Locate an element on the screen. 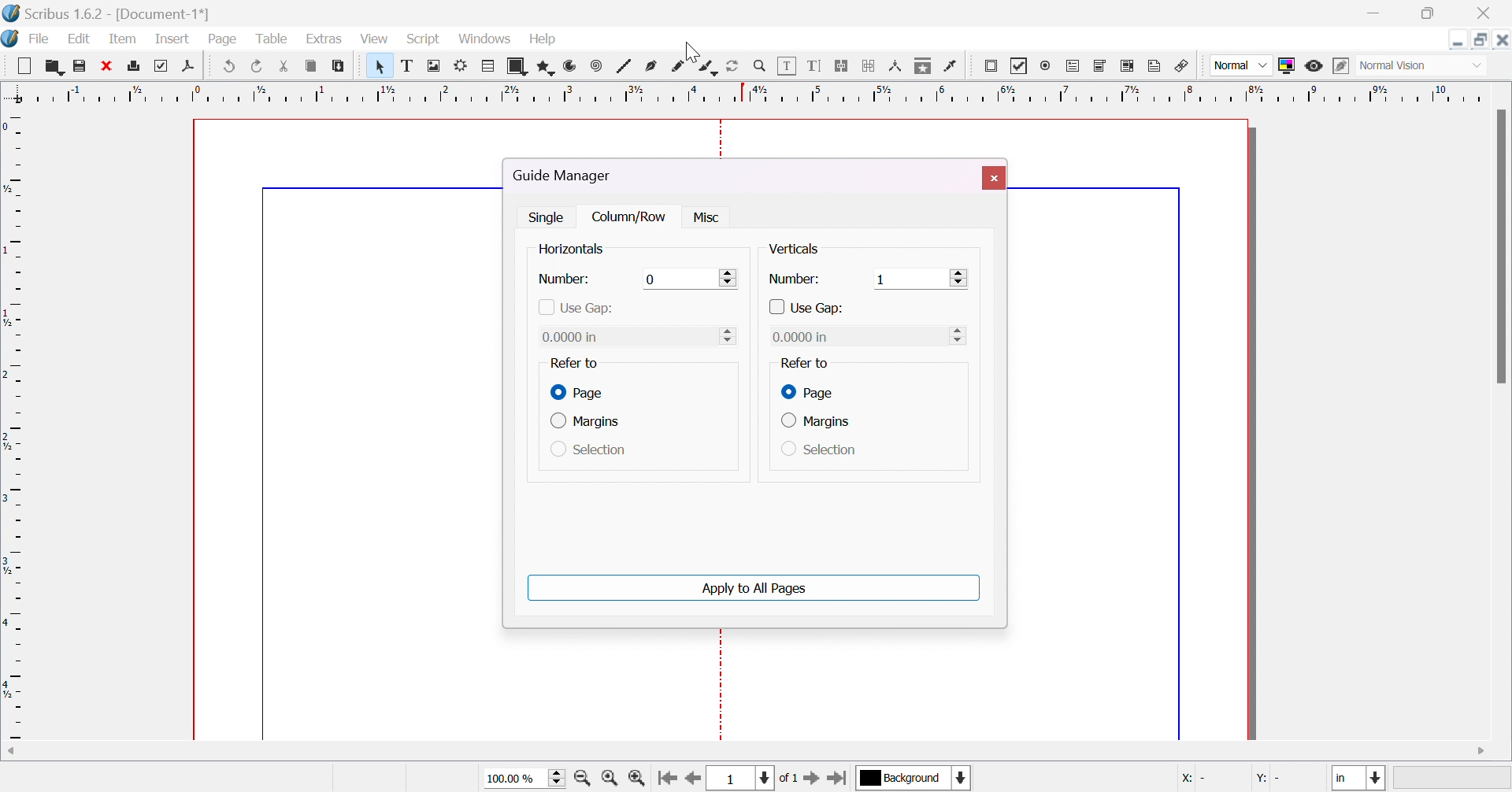 This screenshot has height=792, width=1512. file is located at coordinates (41, 39).